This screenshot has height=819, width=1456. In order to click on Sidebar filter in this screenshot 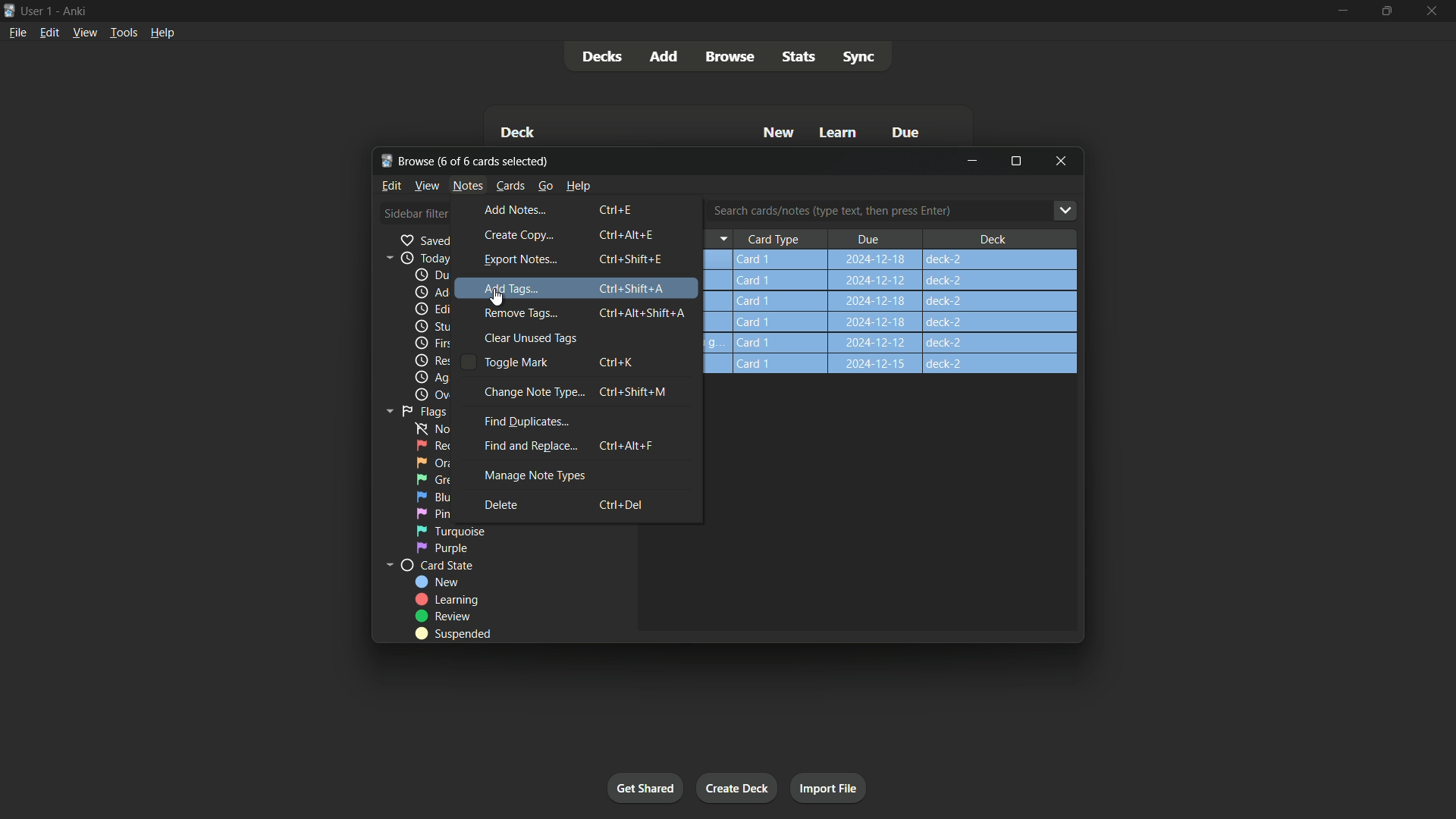, I will do `click(416, 213)`.